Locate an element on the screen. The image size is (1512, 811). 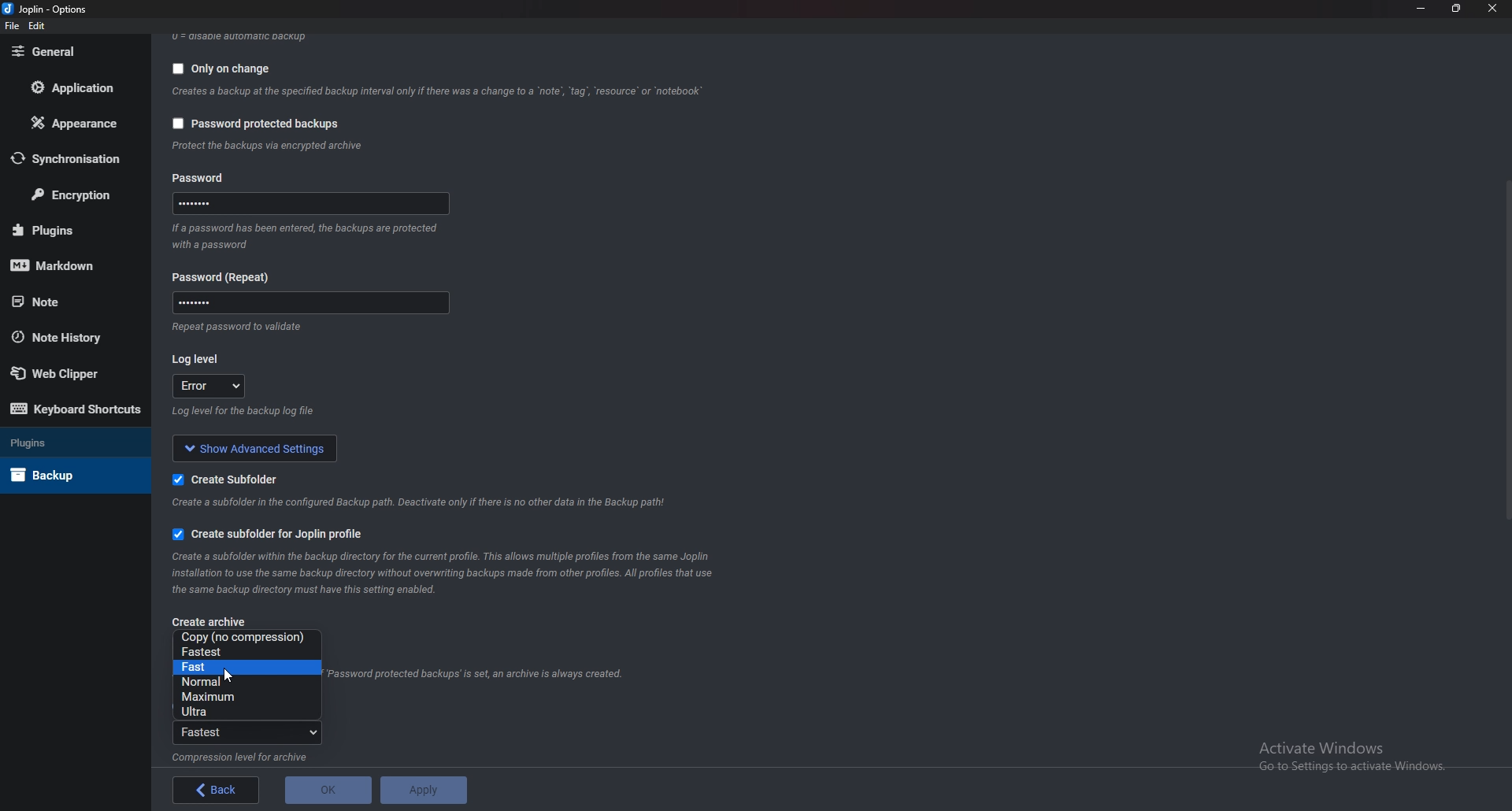
Plugins is located at coordinates (61, 442).